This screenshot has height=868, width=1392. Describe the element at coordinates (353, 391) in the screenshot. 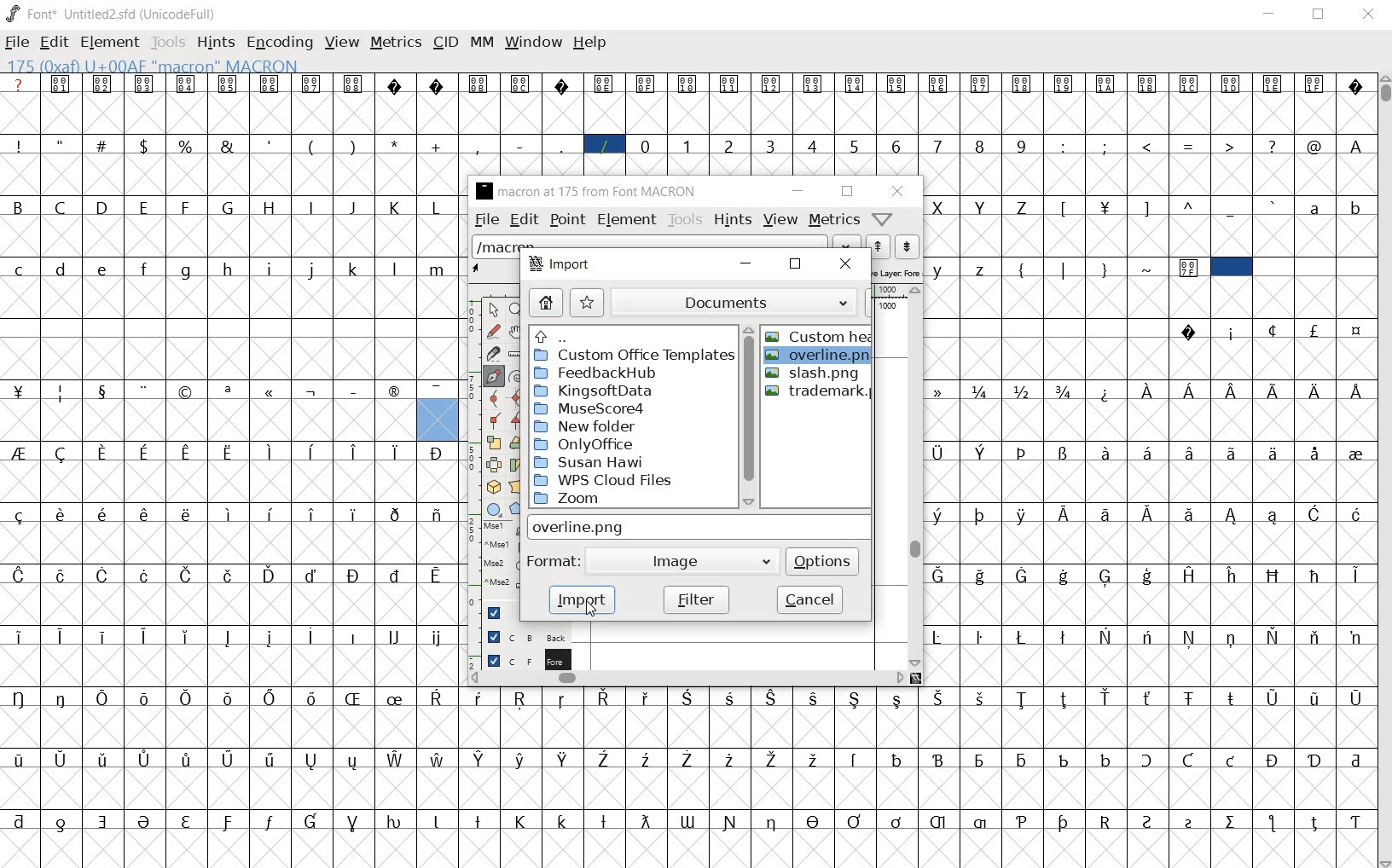

I see `Symbol` at that location.